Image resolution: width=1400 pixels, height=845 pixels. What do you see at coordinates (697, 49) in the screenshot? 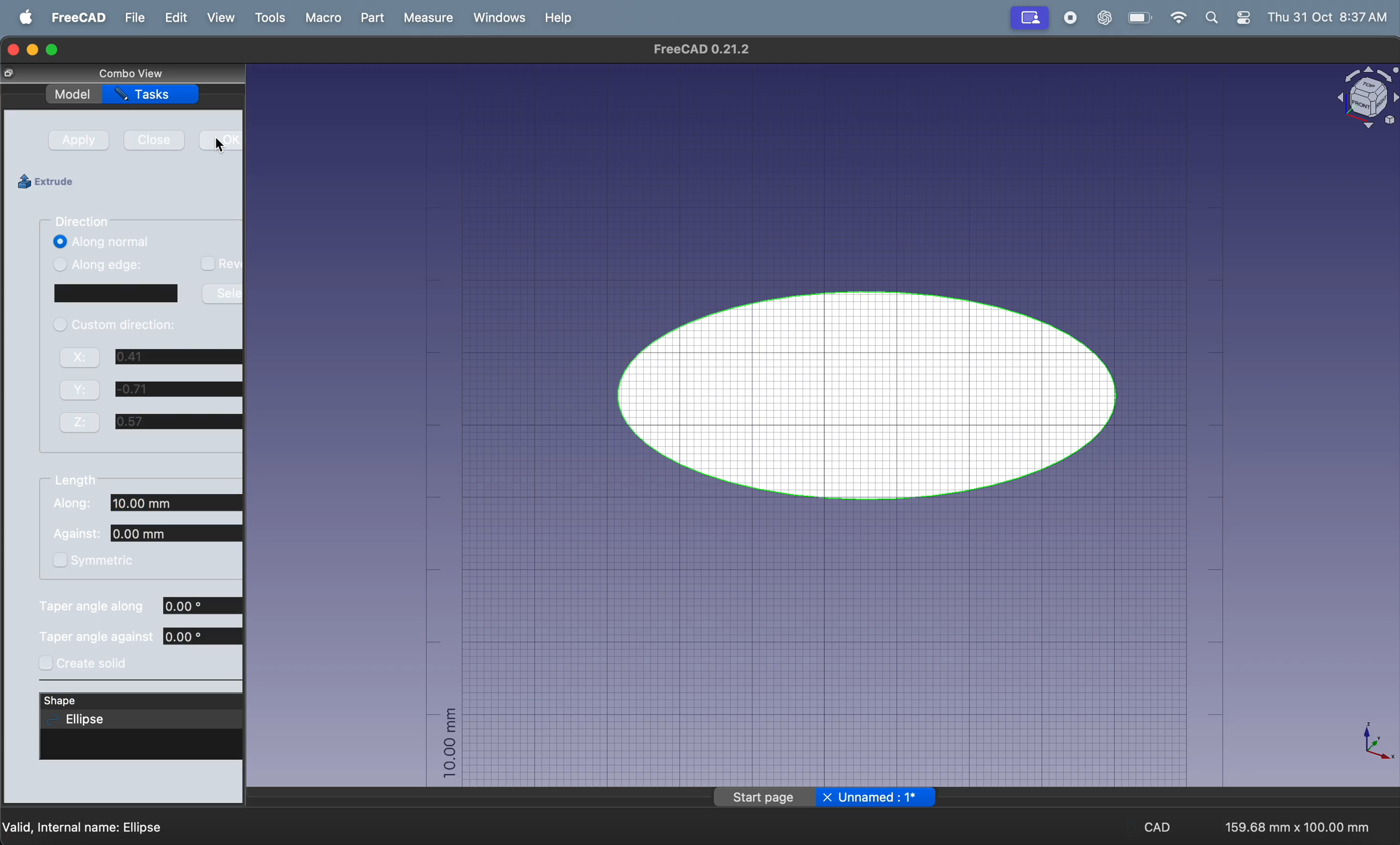
I see `FreeCad.0.721` at bounding box center [697, 49].